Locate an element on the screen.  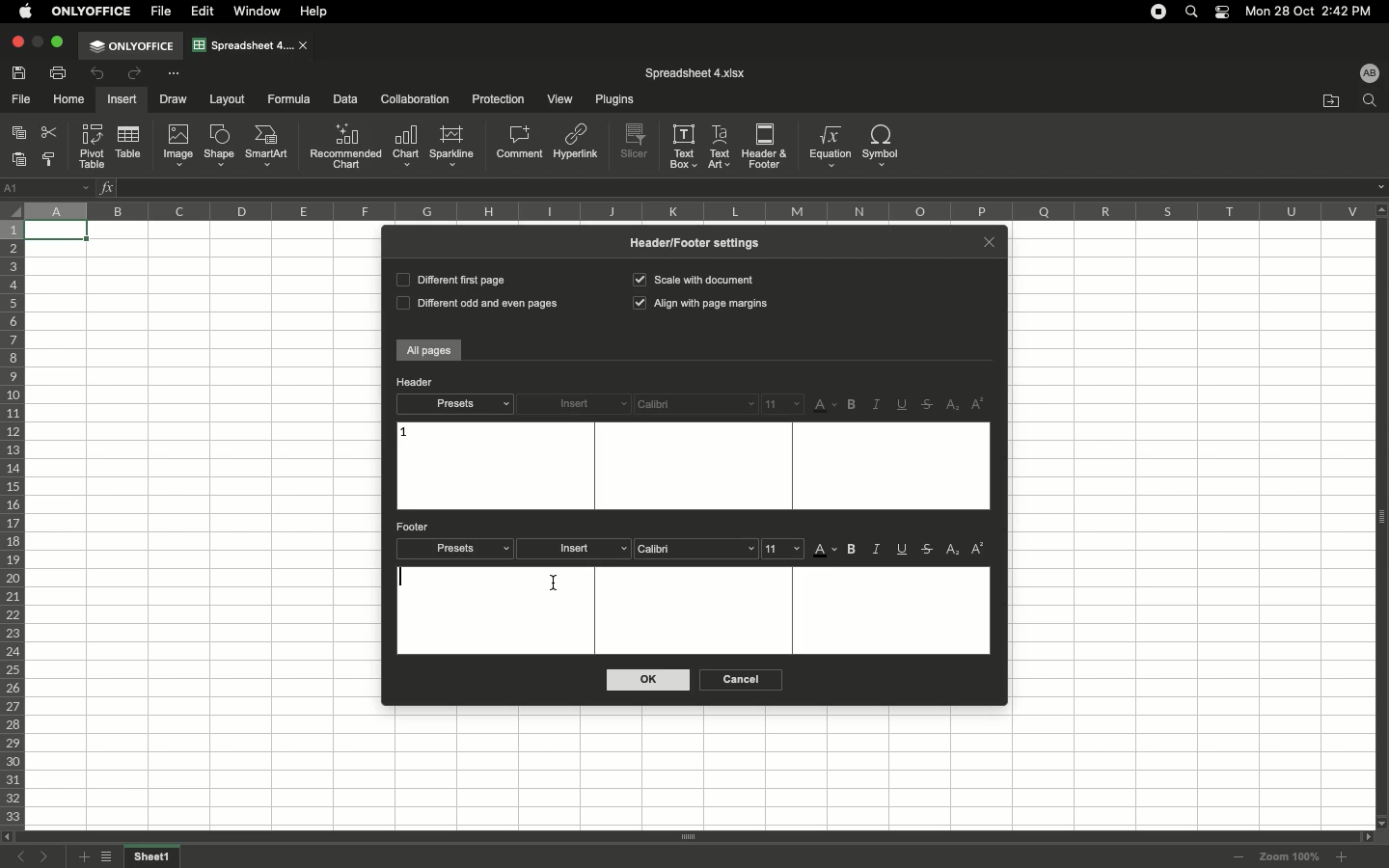
Window is located at coordinates (260, 12).